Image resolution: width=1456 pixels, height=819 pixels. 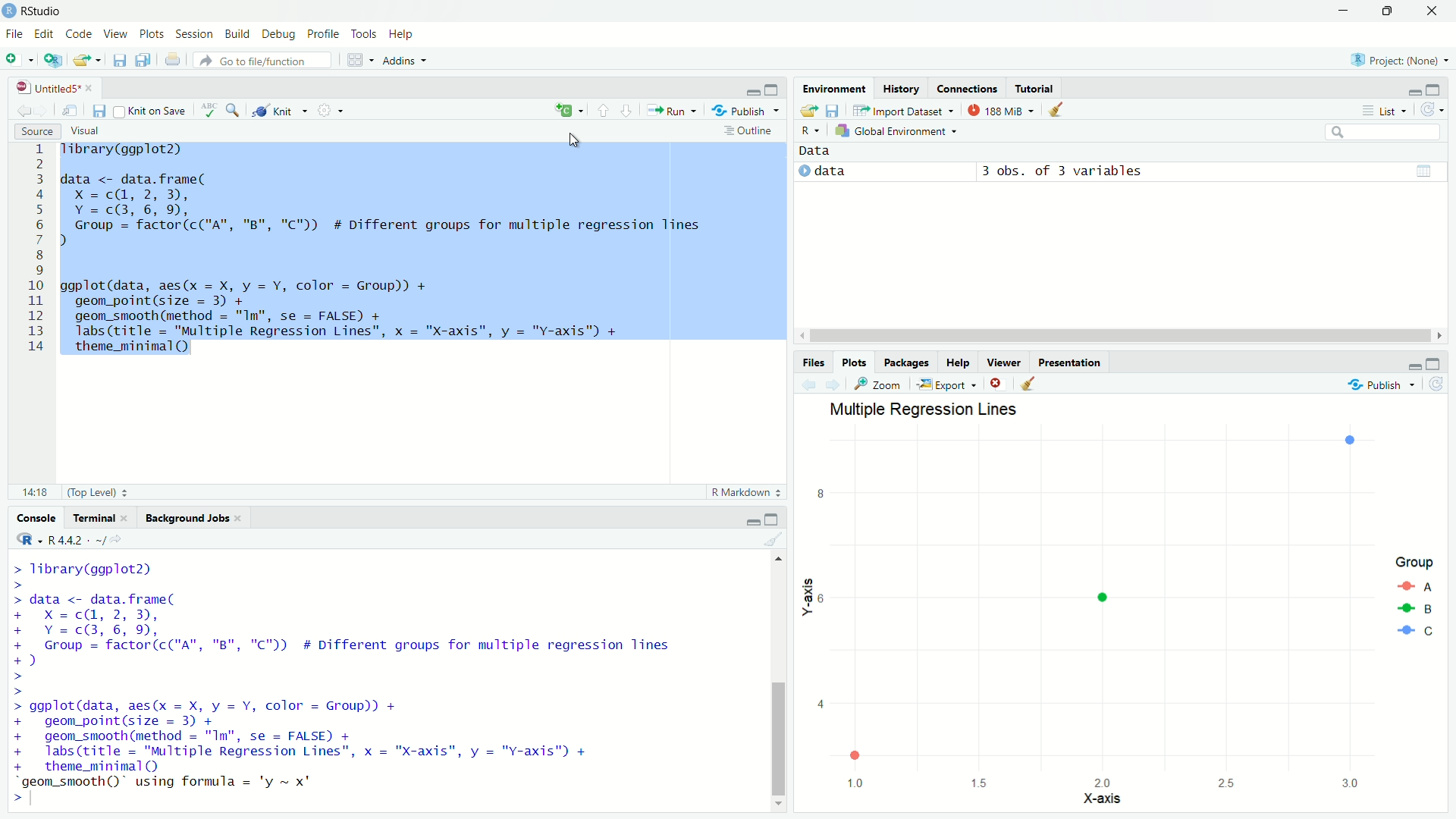 What do you see at coordinates (79, 34) in the screenshot?
I see `Code` at bounding box center [79, 34].